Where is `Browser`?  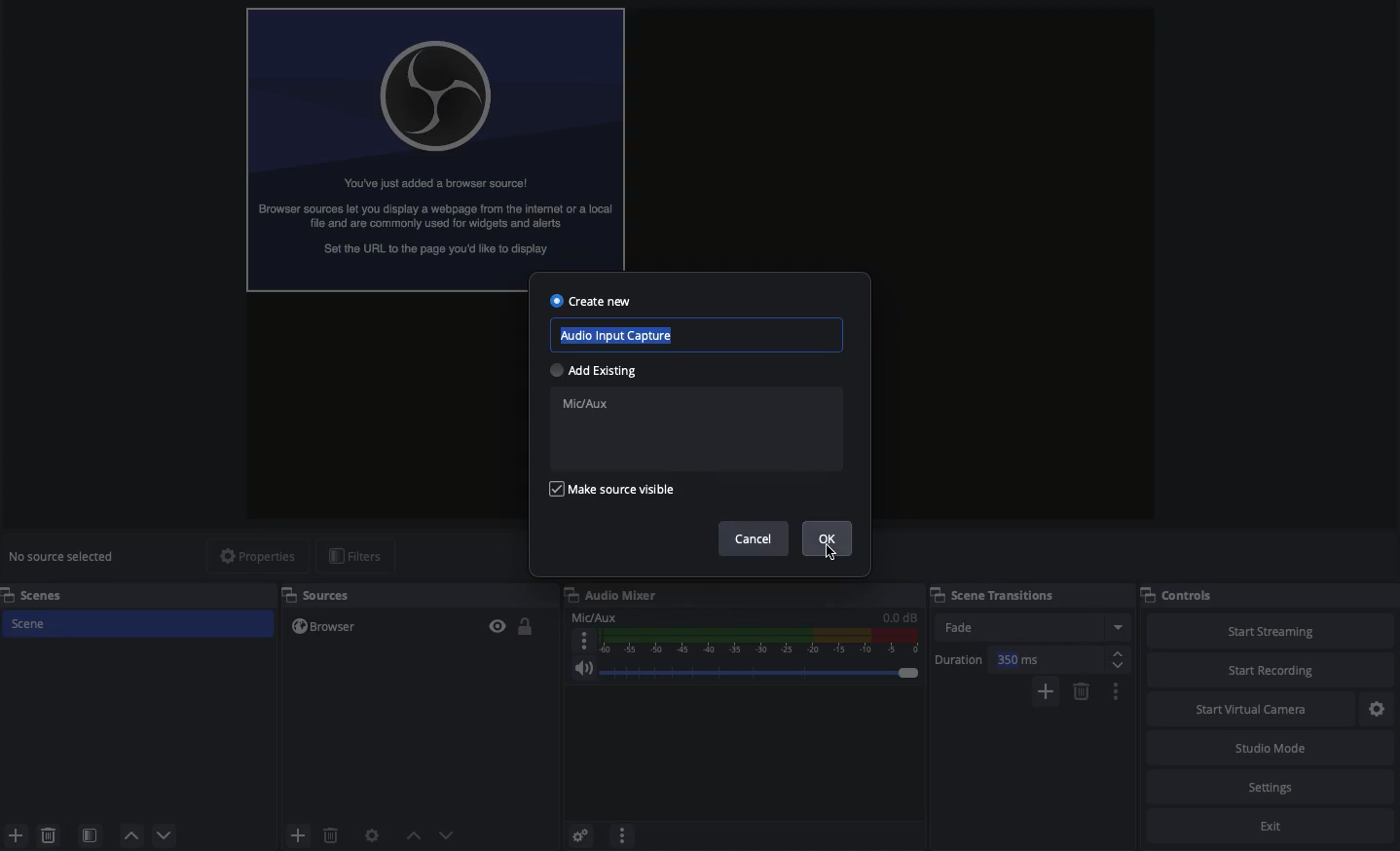
Browser is located at coordinates (397, 626).